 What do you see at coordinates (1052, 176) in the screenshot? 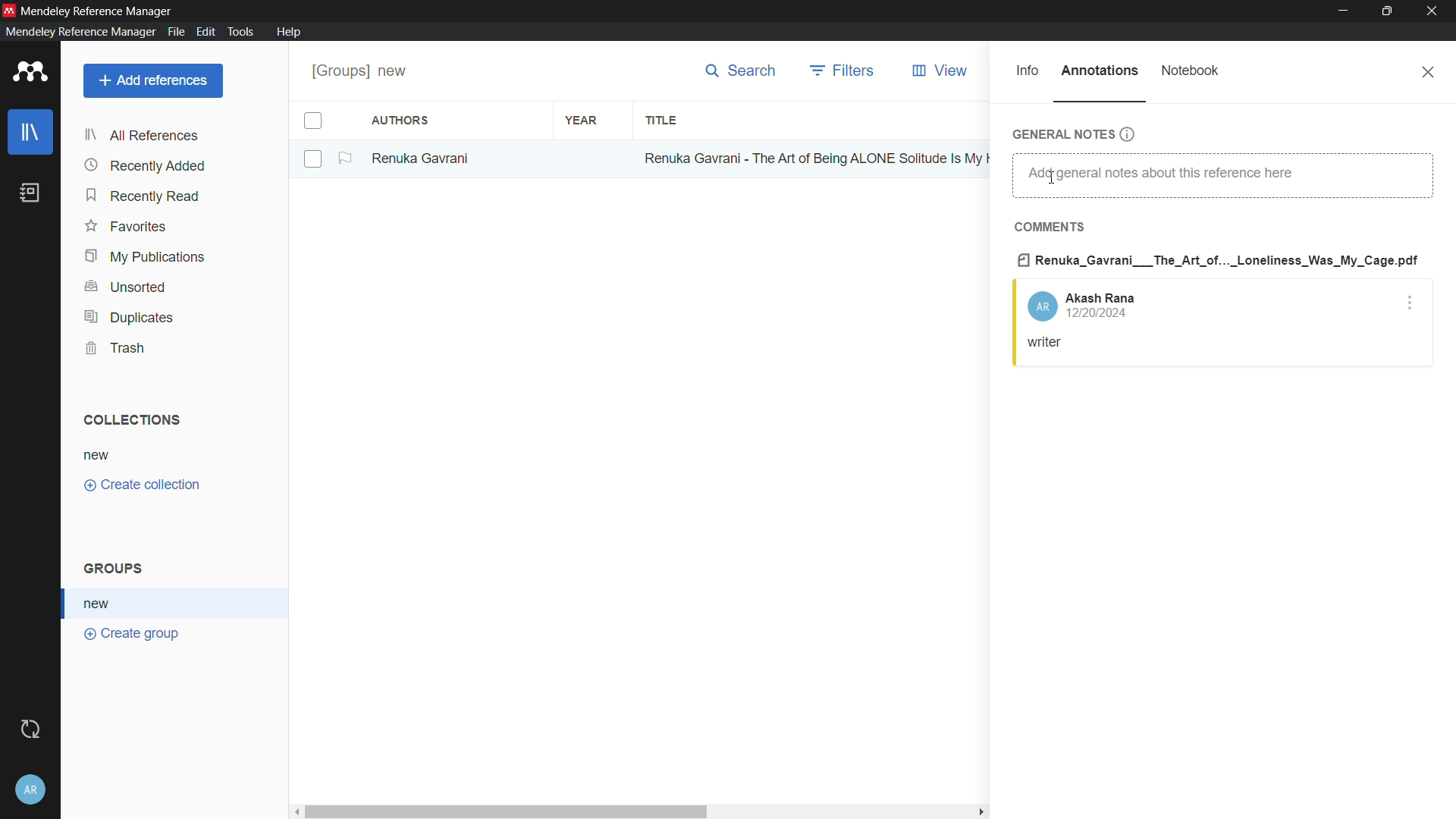
I see `cursor` at bounding box center [1052, 176].